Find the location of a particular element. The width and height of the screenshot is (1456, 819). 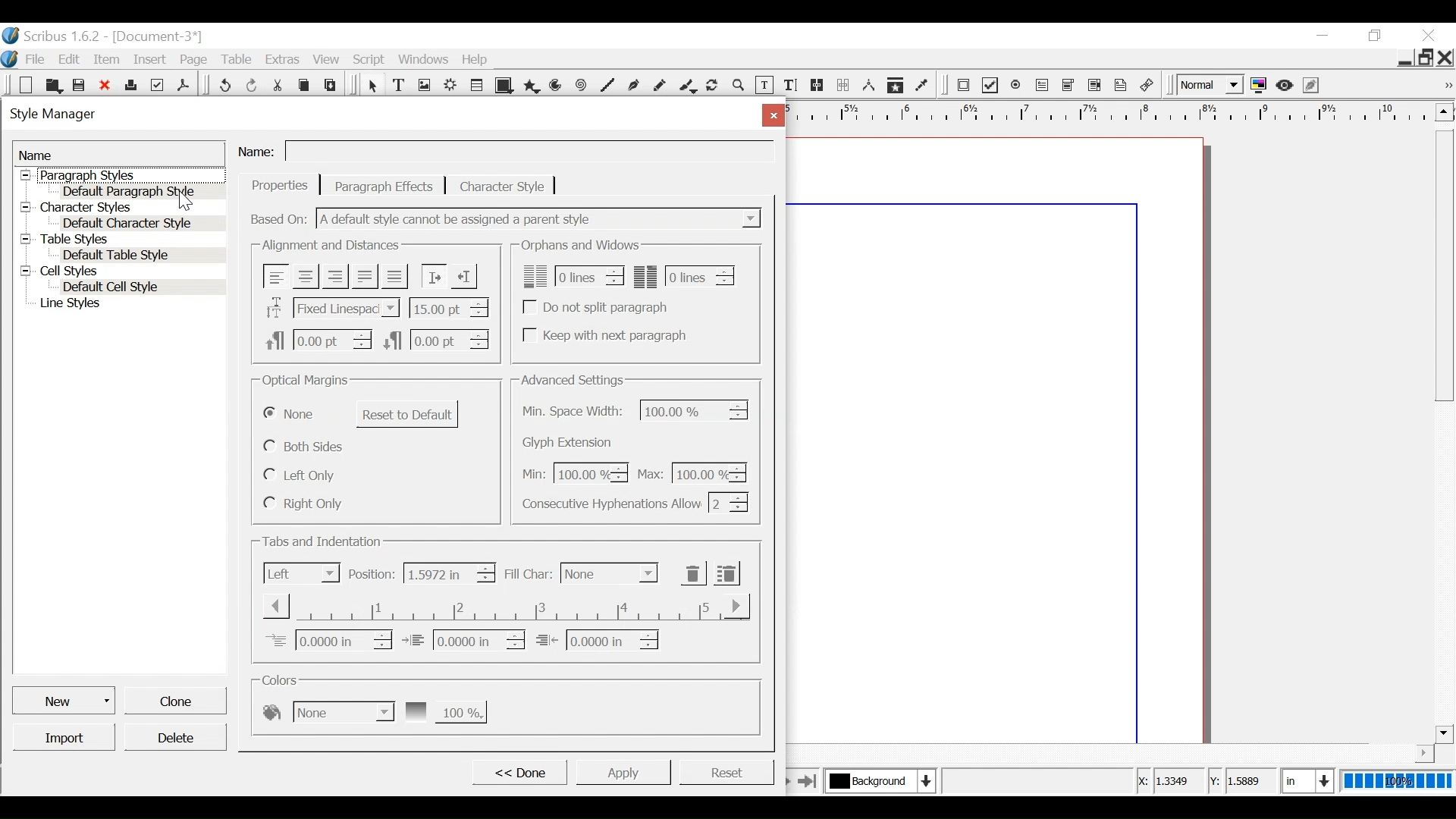

Close is located at coordinates (106, 85).